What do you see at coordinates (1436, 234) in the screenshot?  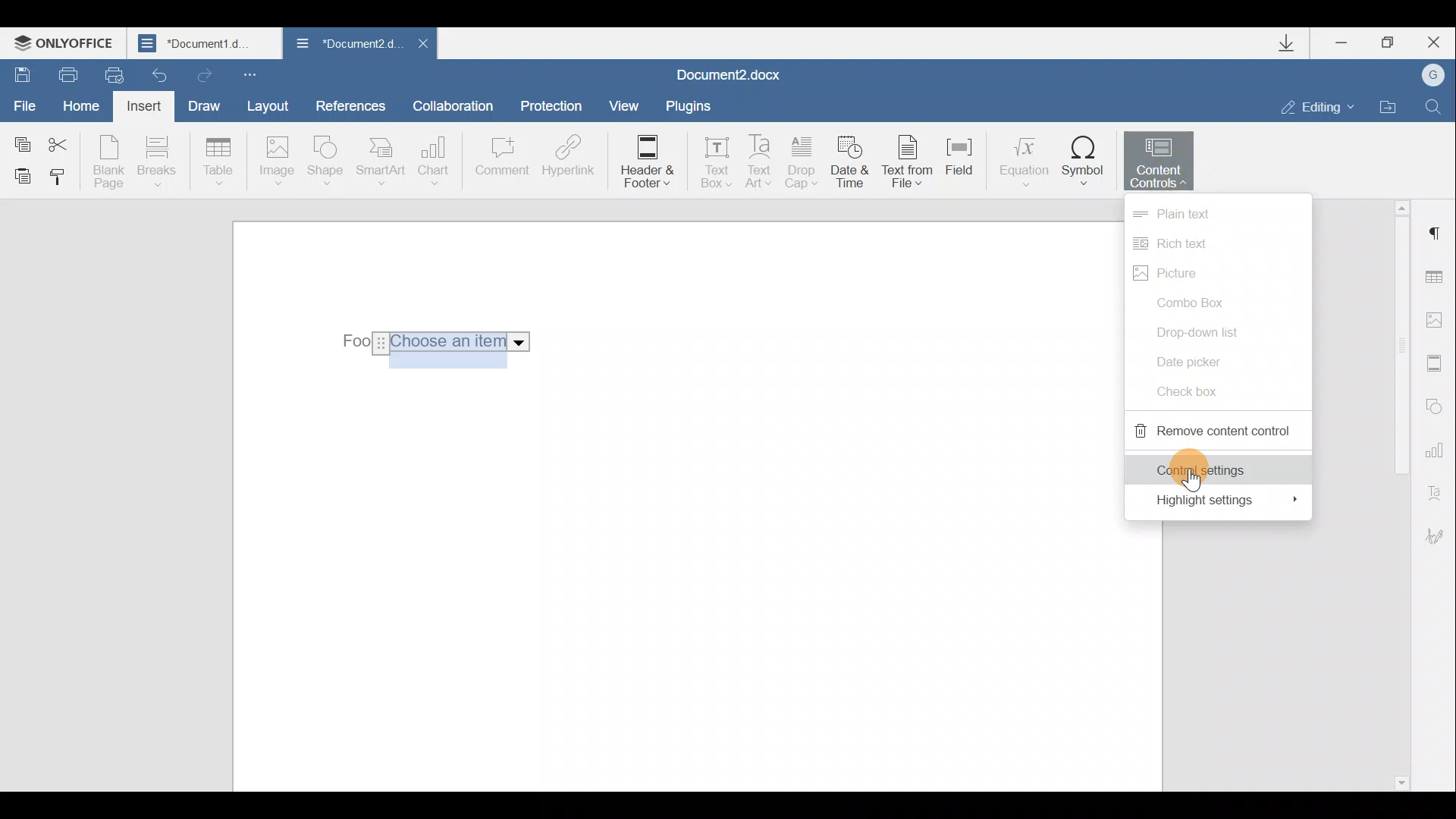 I see `Paragraph settings` at bounding box center [1436, 234].